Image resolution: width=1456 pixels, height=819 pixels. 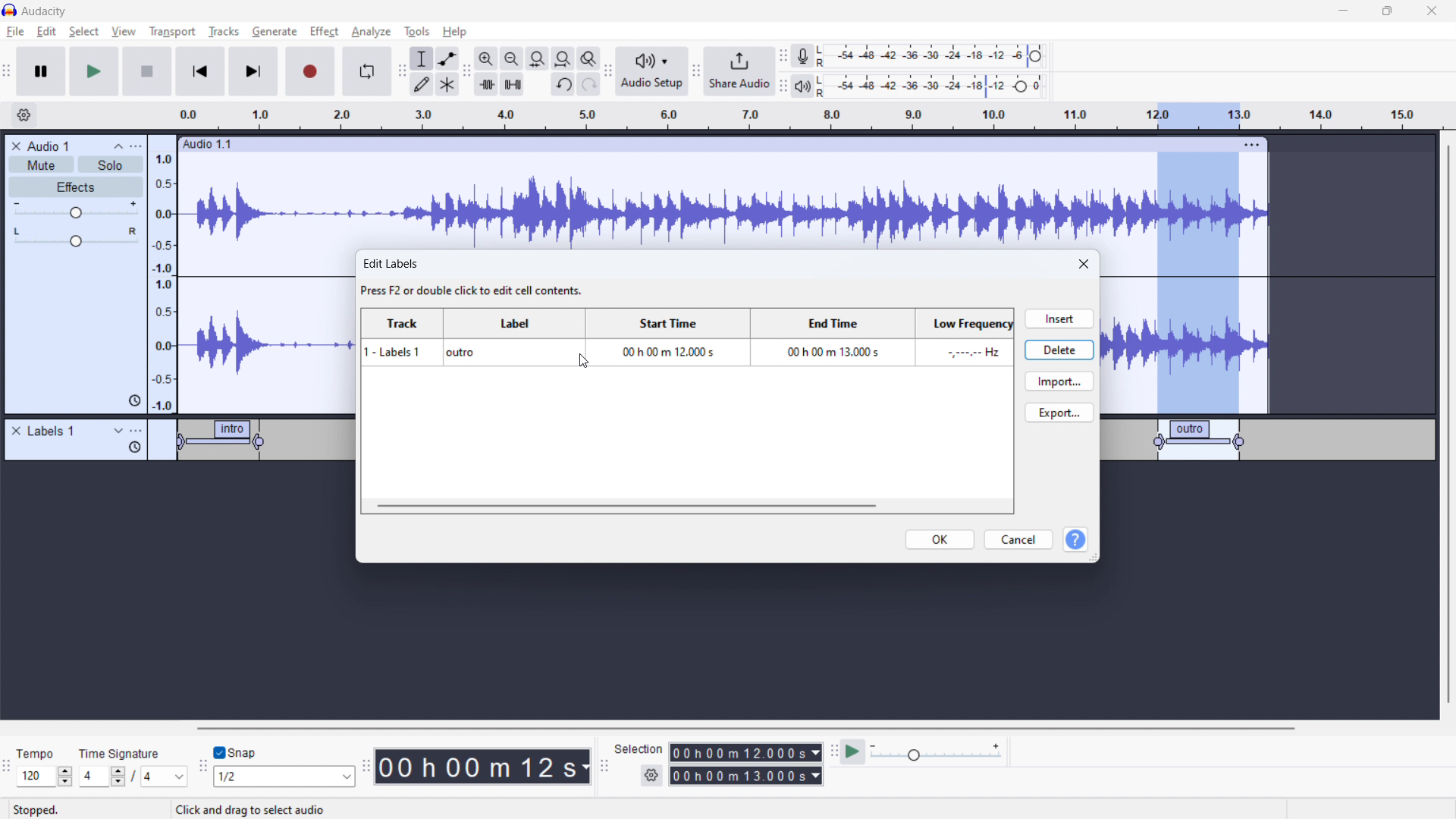 What do you see at coordinates (466, 72) in the screenshot?
I see `edit toolbar` at bounding box center [466, 72].